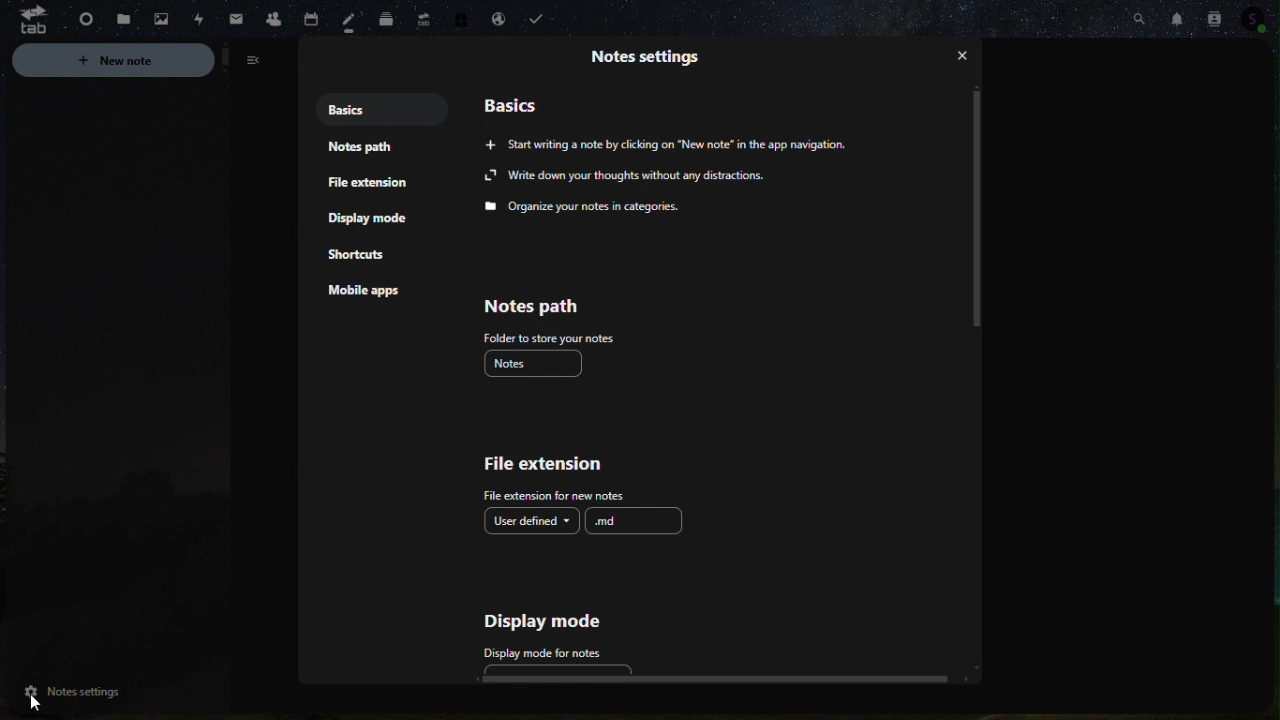 The image size is (1280, 720). I want to click on File extension, so click(547, 463).